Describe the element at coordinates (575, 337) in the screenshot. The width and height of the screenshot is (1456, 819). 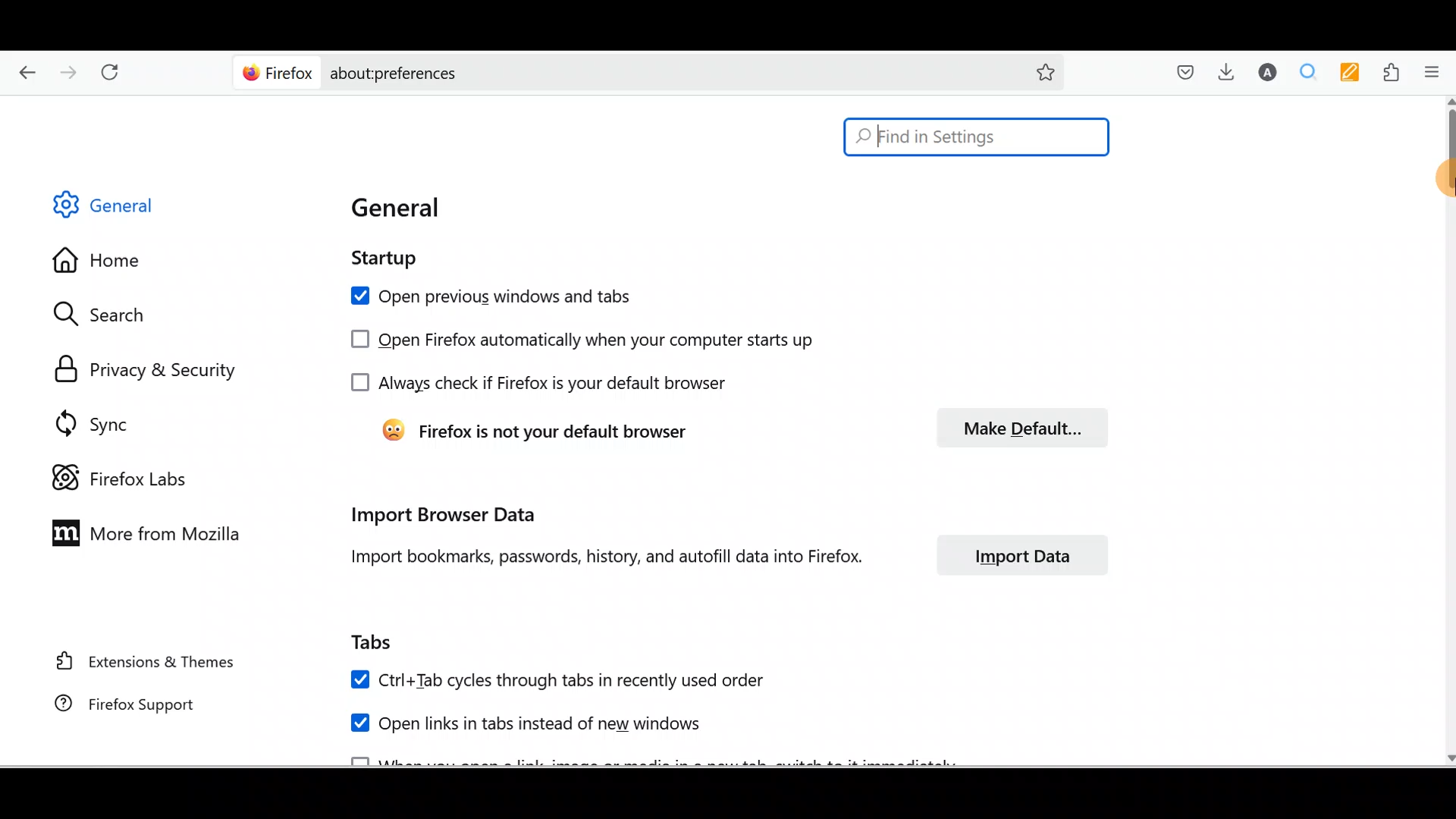
I see `Open Firefox automatically when your computer starts up` at that location.